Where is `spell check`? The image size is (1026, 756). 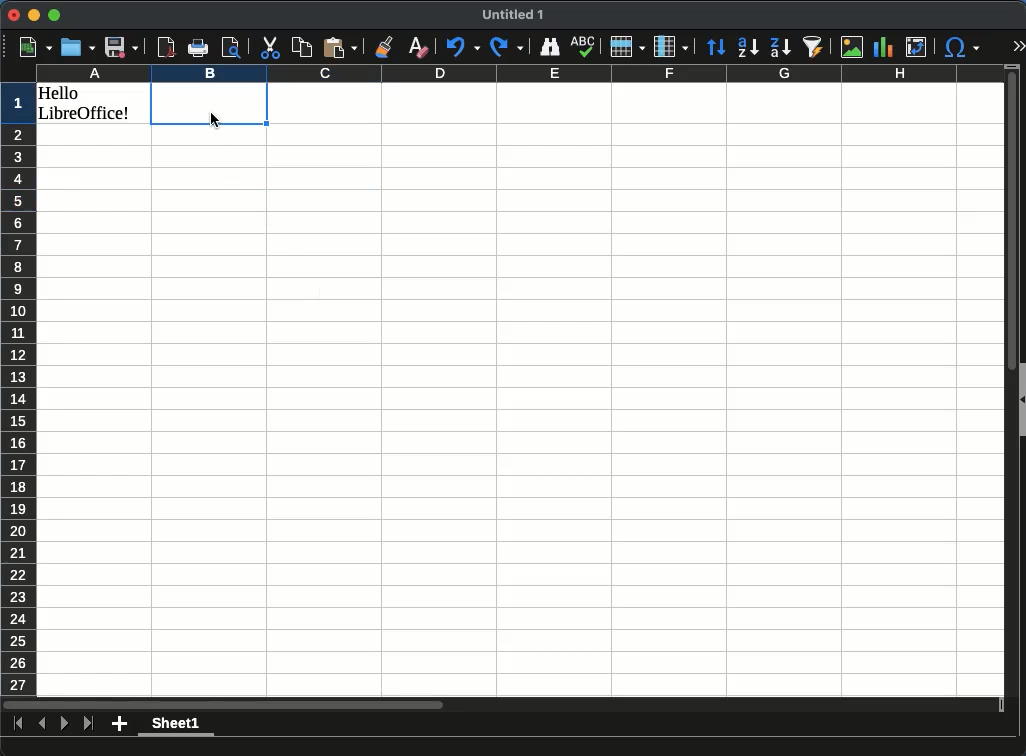
spell check is located at coordinates (583, 45).